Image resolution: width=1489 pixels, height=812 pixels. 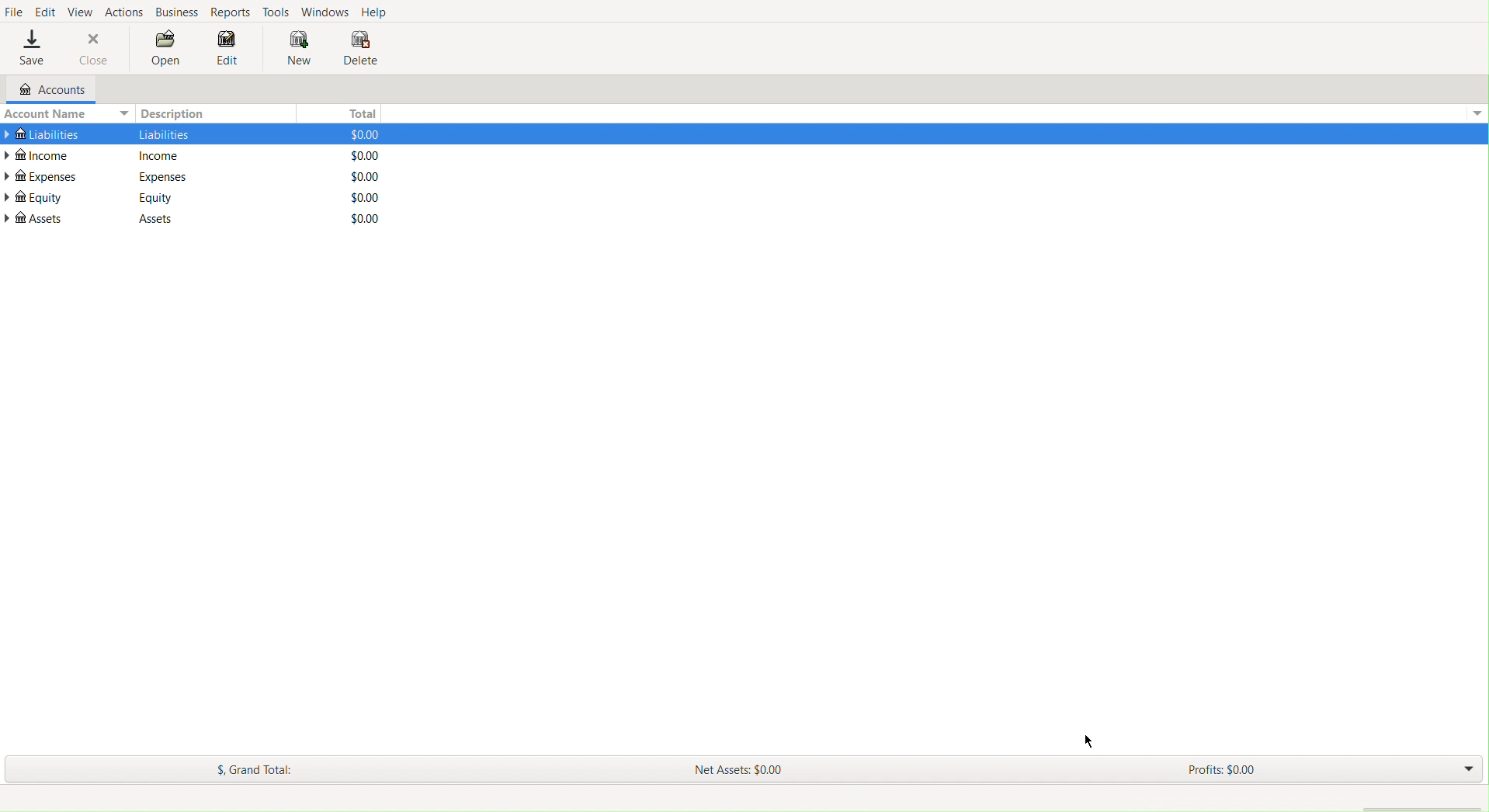 What do you see at coordinates (360, 50) in the screenshot?
I see `Delete` at bounding box center [360, 50].